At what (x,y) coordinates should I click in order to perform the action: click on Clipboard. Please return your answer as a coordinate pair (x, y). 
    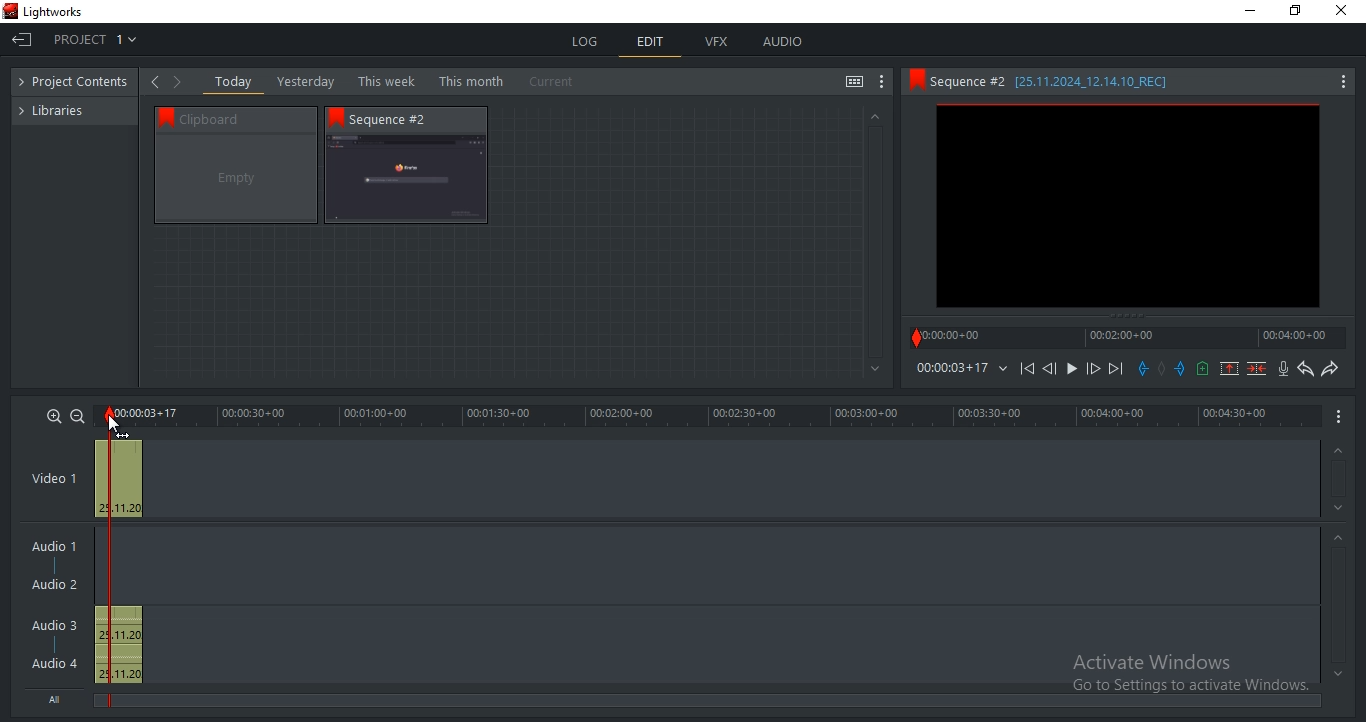
    Looking at the image, I should click on (245, 118).